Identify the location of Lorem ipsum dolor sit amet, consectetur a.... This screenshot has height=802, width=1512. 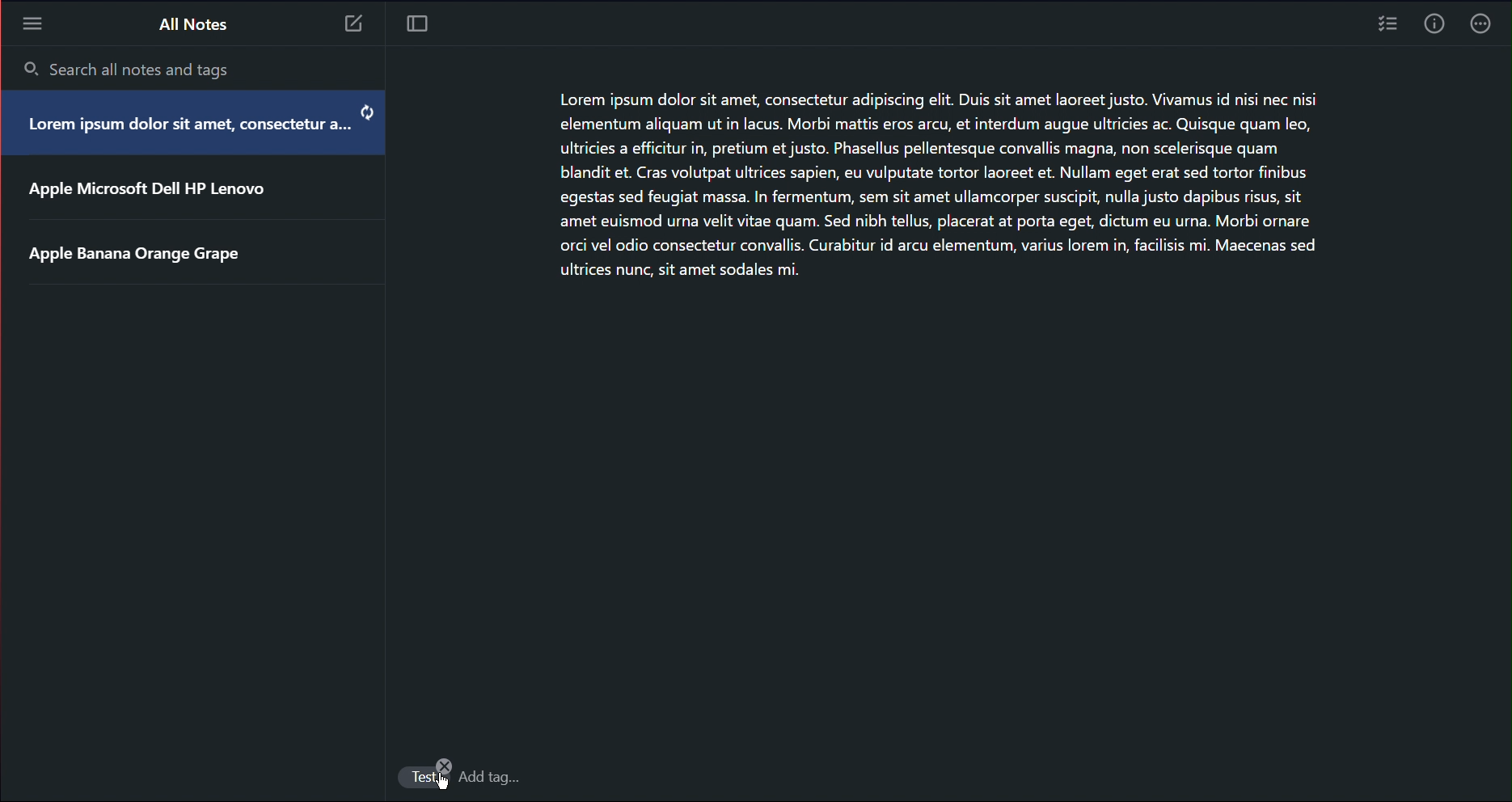
(179, 131).